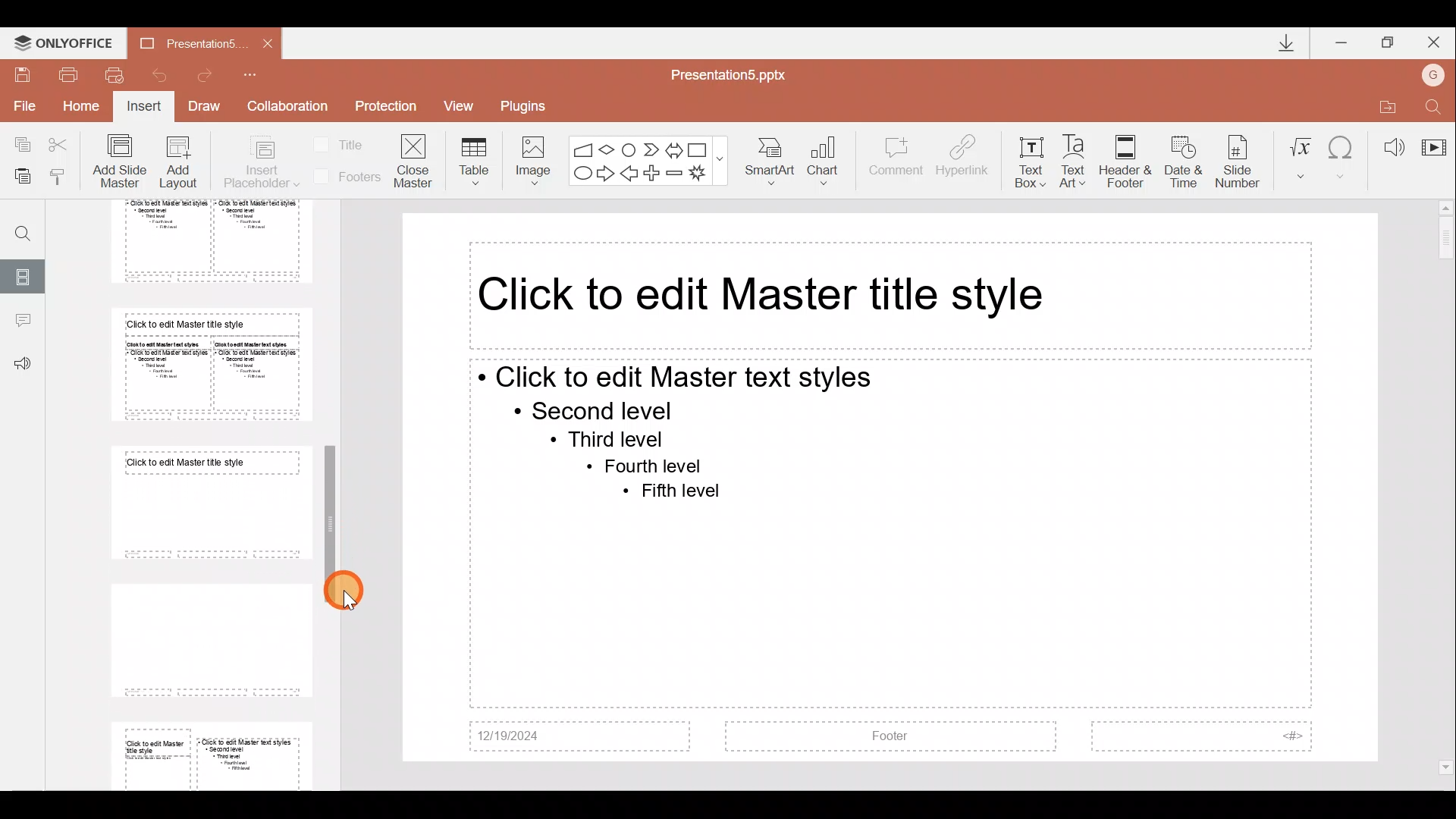  Describe the element at coordinates (472, 160) in the screenshot. I see `Table` at that location.